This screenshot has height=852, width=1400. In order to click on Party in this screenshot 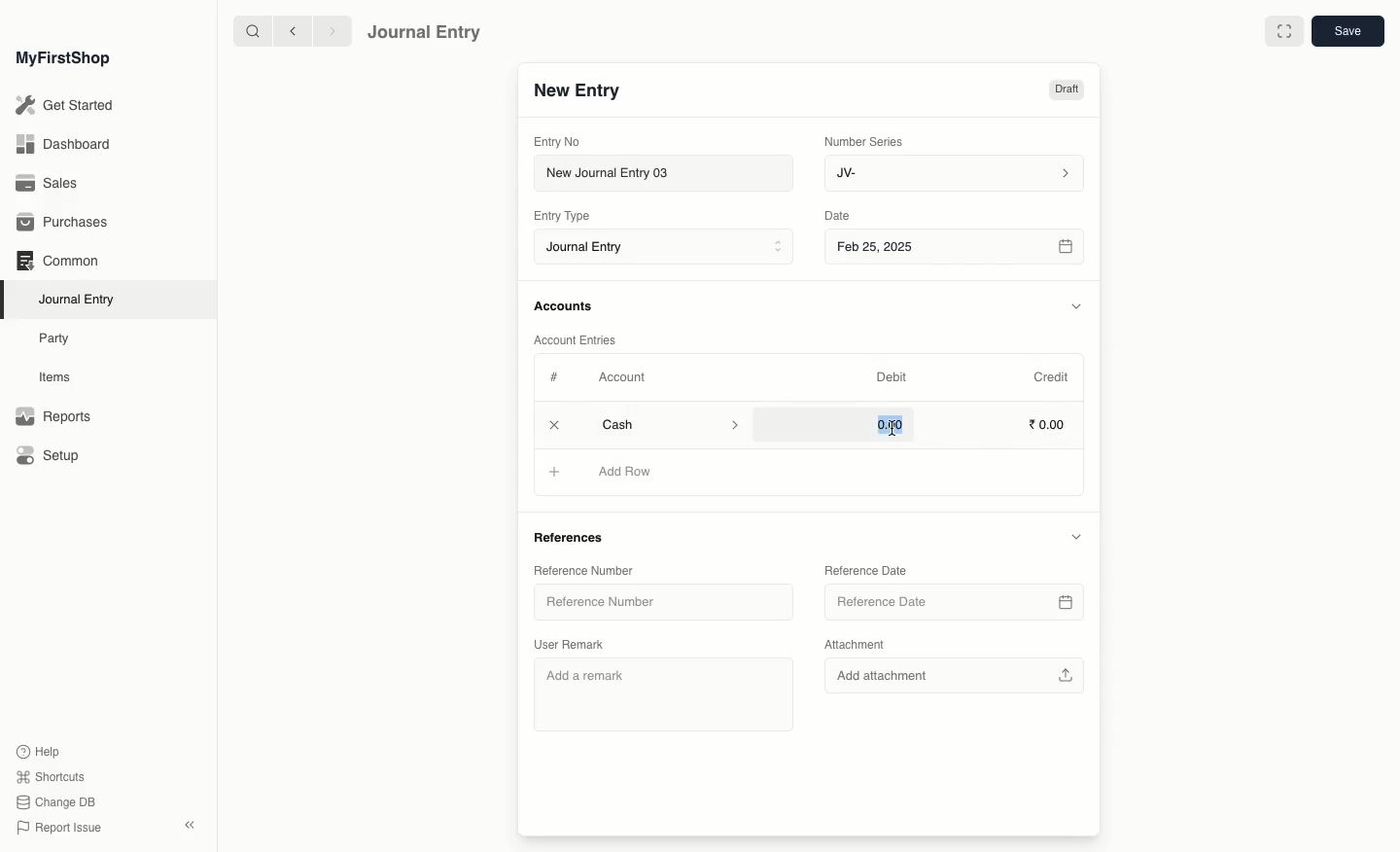, I will do `click(55, 337)`.